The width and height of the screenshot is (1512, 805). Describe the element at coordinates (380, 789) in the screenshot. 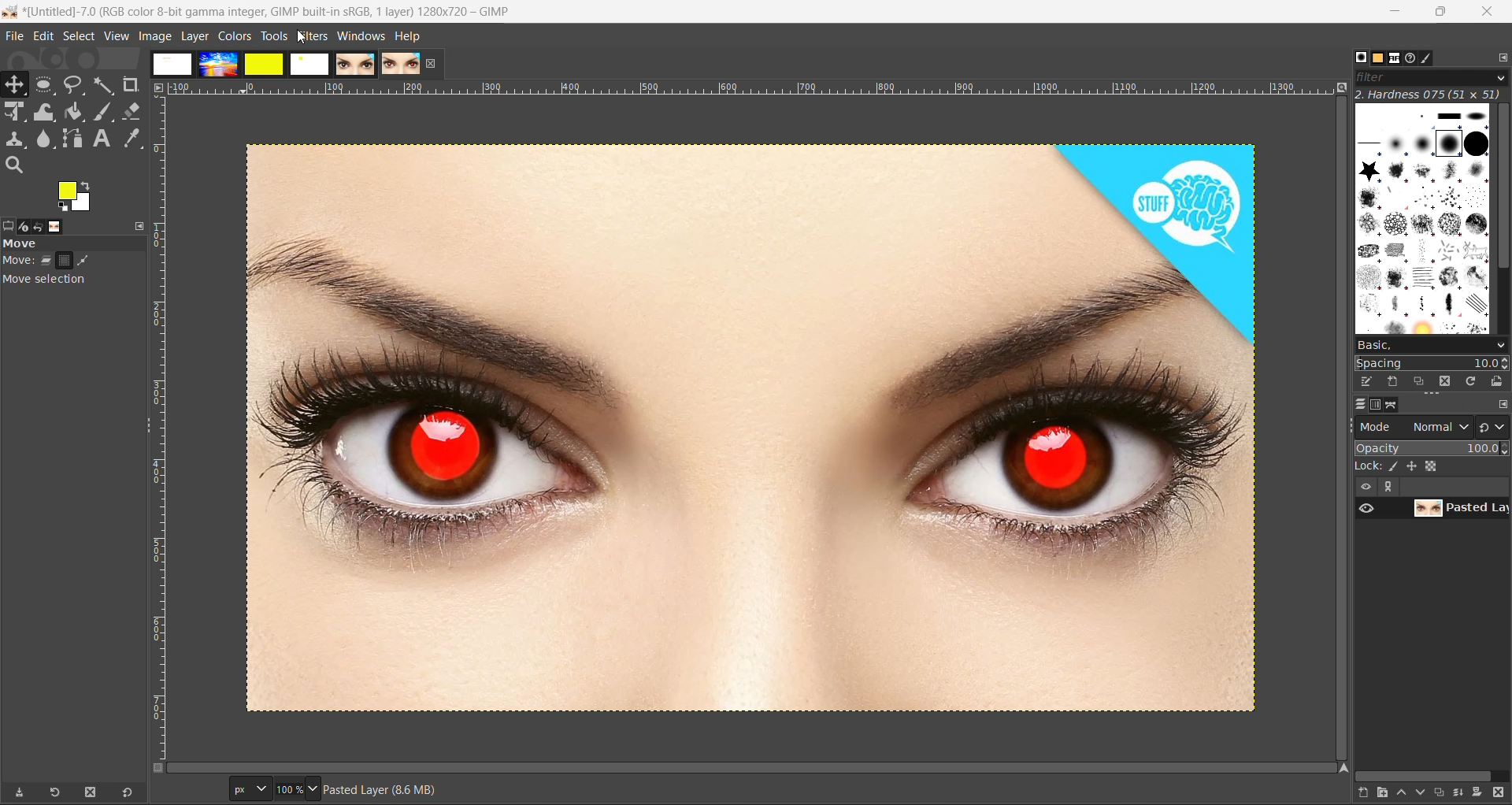

I see `metadata` at that location.